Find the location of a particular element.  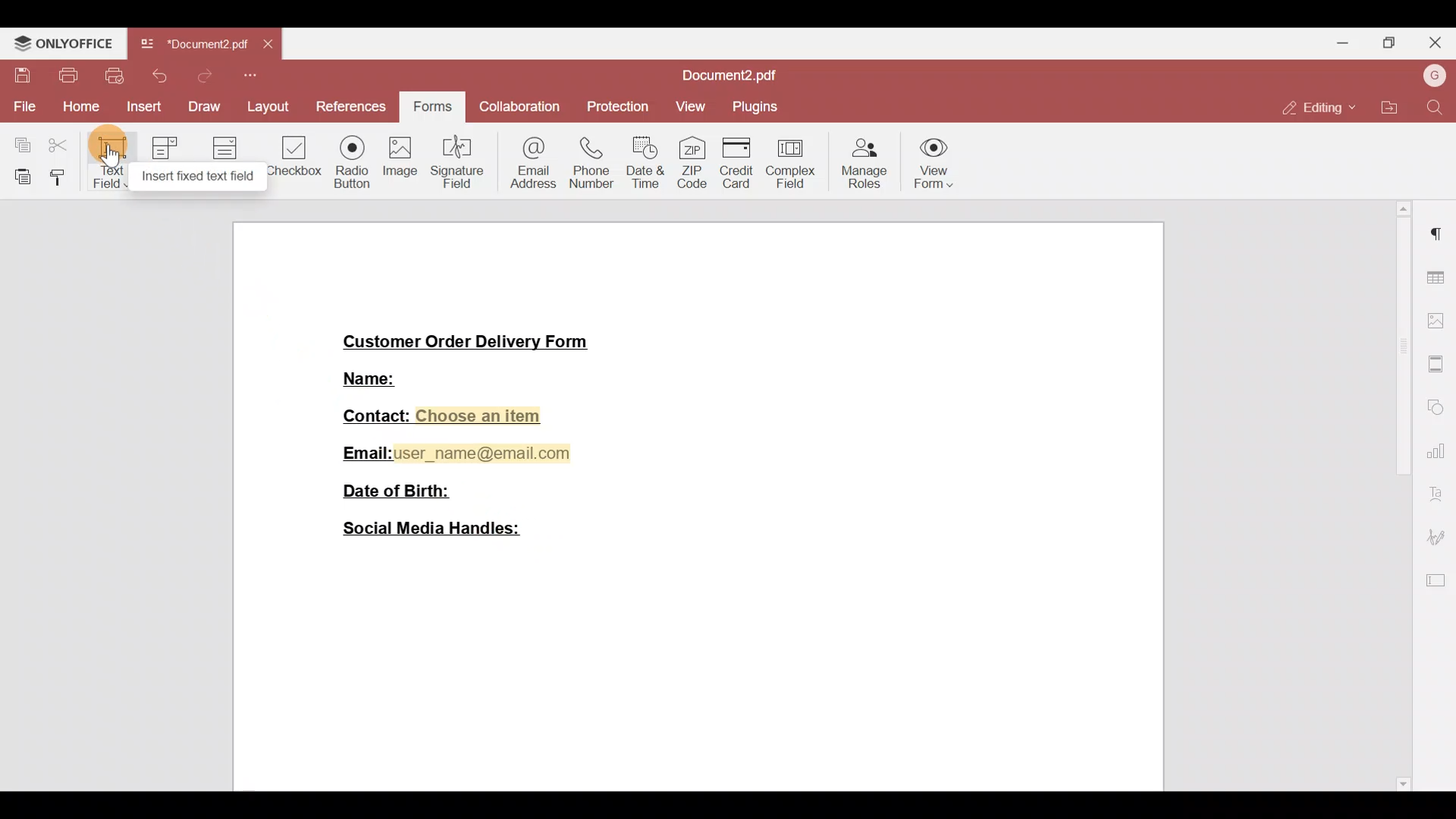

Maximize is located at coordinates (1395, 42).